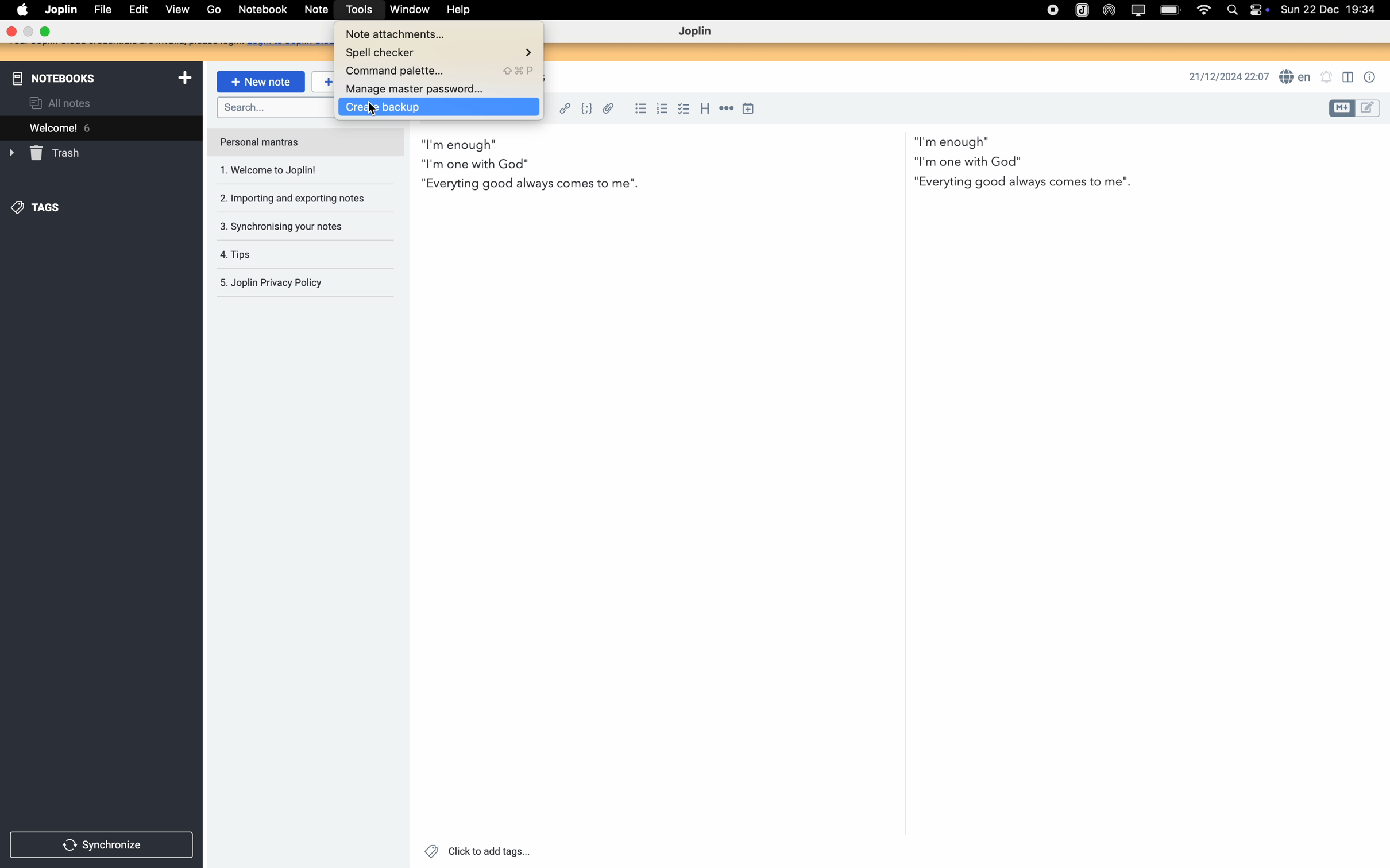  What do you see at coordinates (442, 53) in the screenshot?
I see `spell checker` at bounding box center [442, 53].